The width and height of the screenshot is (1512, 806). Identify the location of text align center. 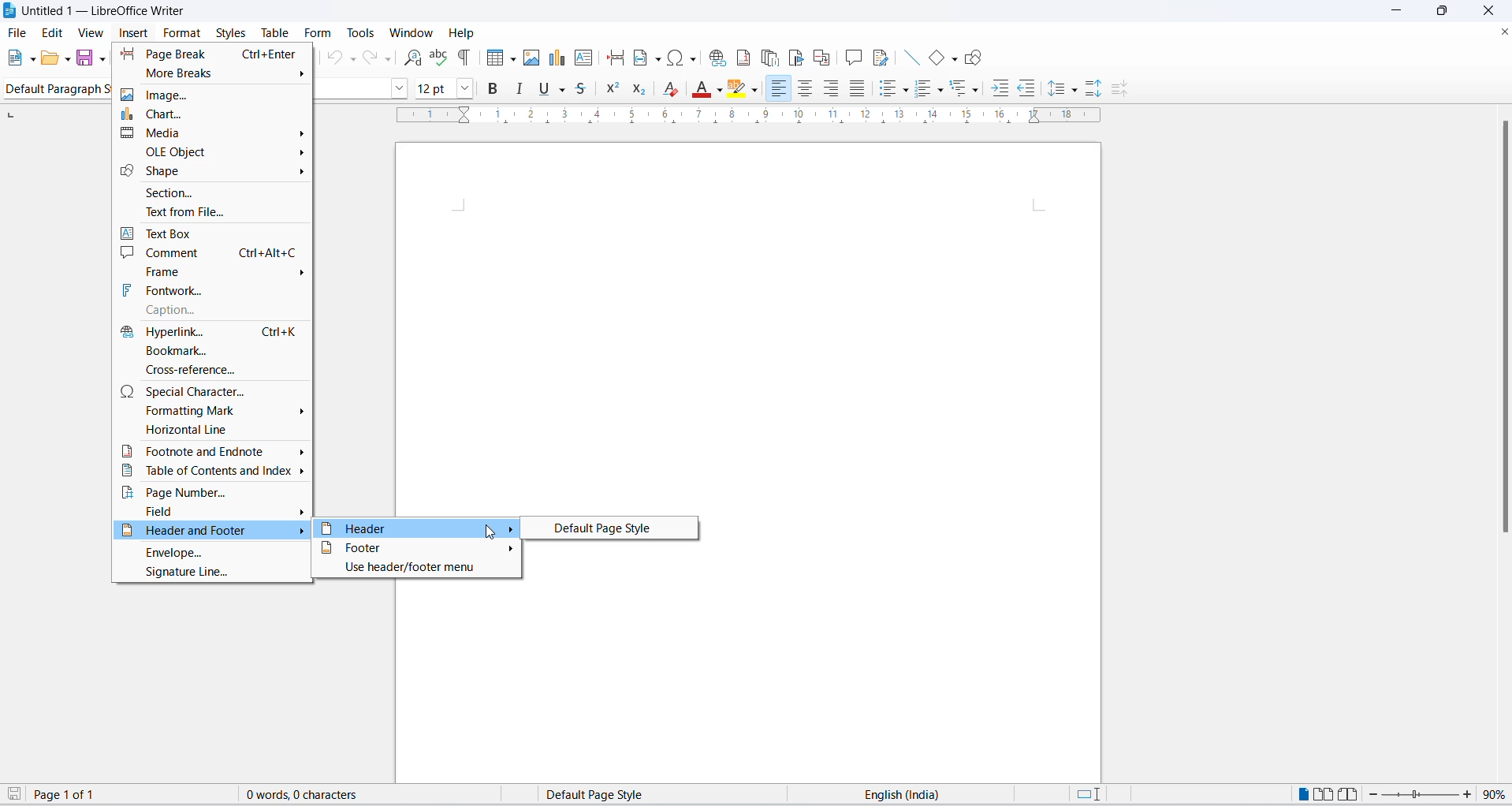
(832, 88).